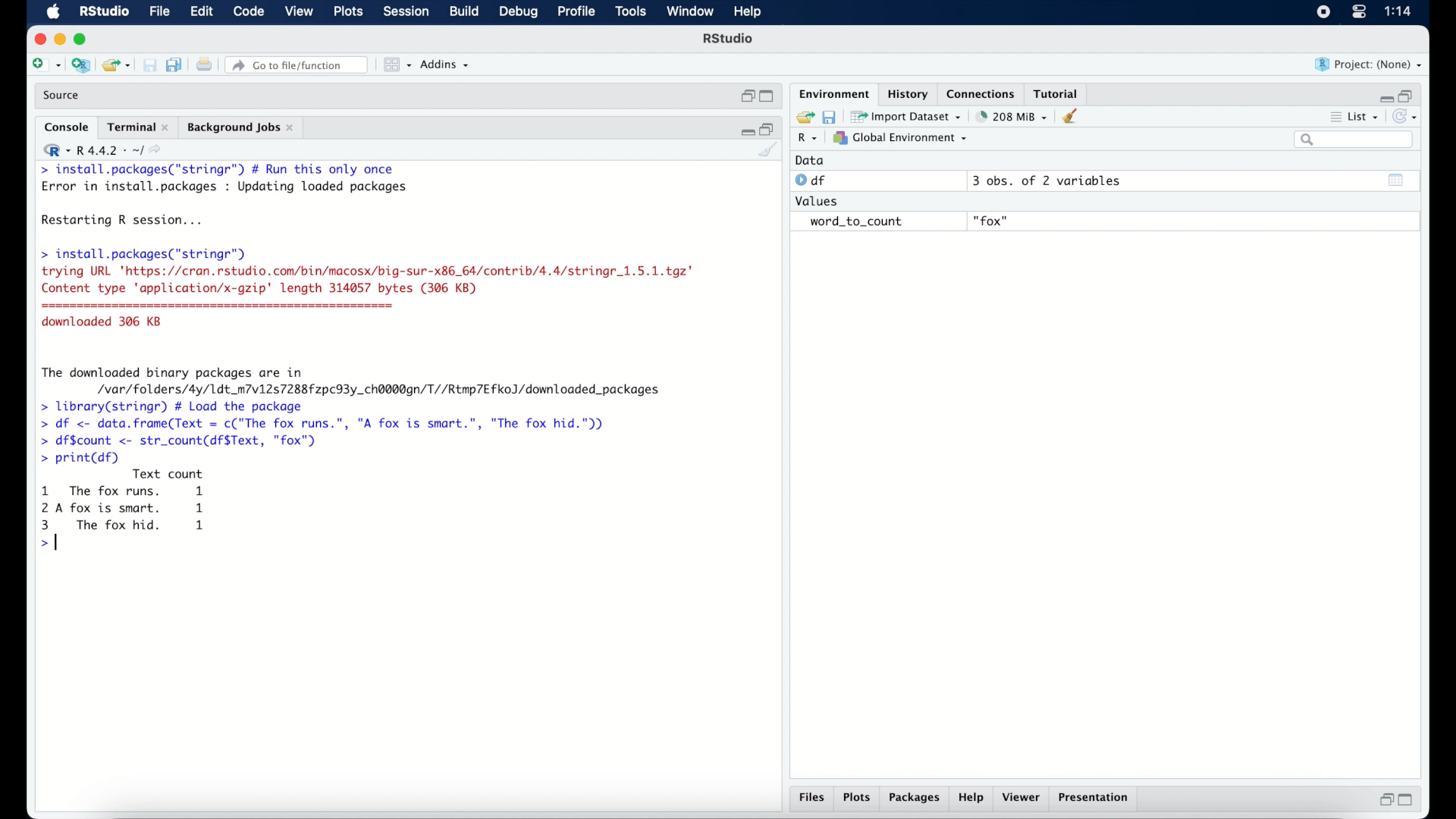 The image size is (1456, 819). What do you see at coordinates (992, 221) in the screenshot?
I see `fox` at bounding box center [992, 221].